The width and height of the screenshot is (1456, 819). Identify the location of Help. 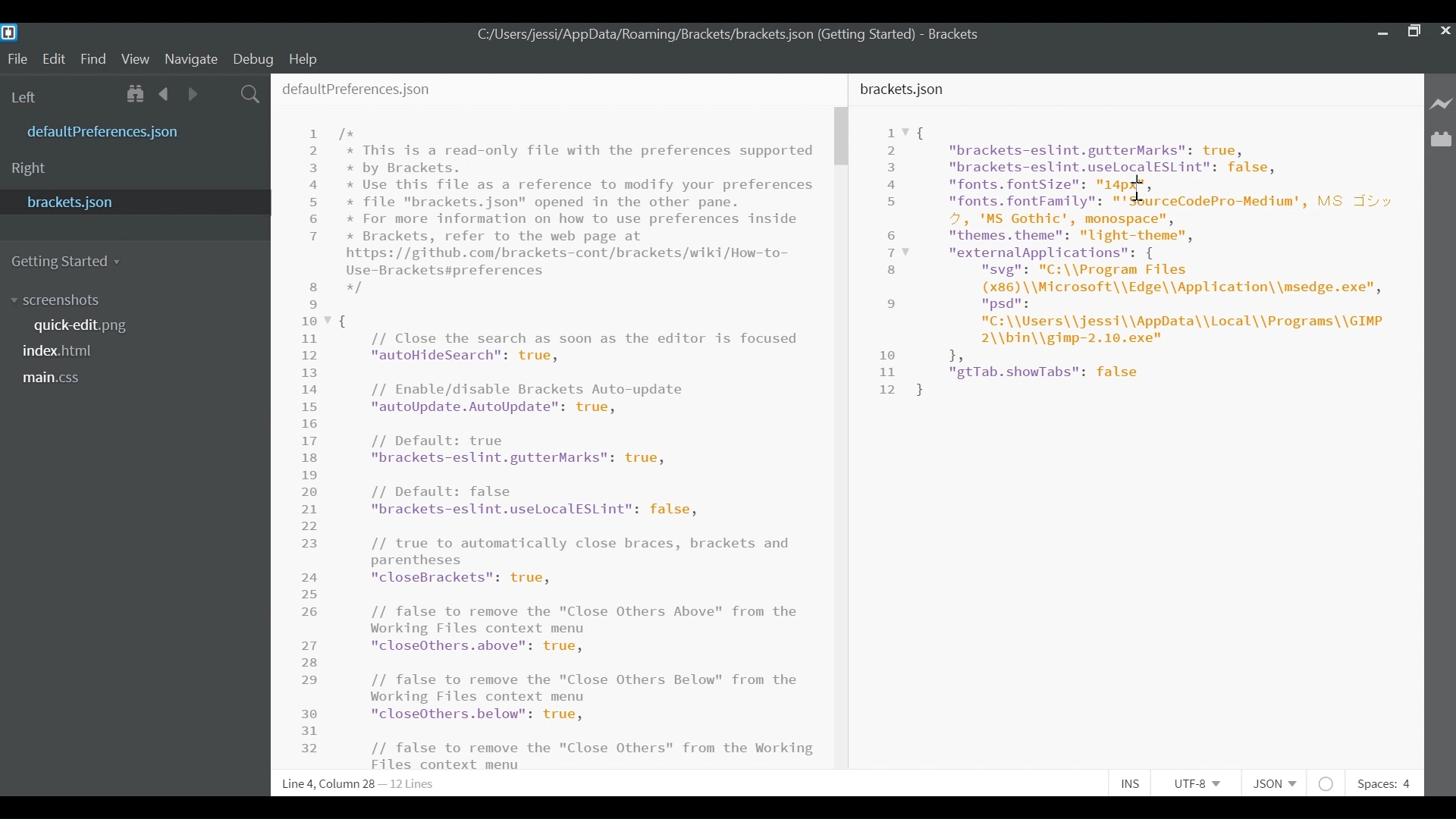
(306, 58).